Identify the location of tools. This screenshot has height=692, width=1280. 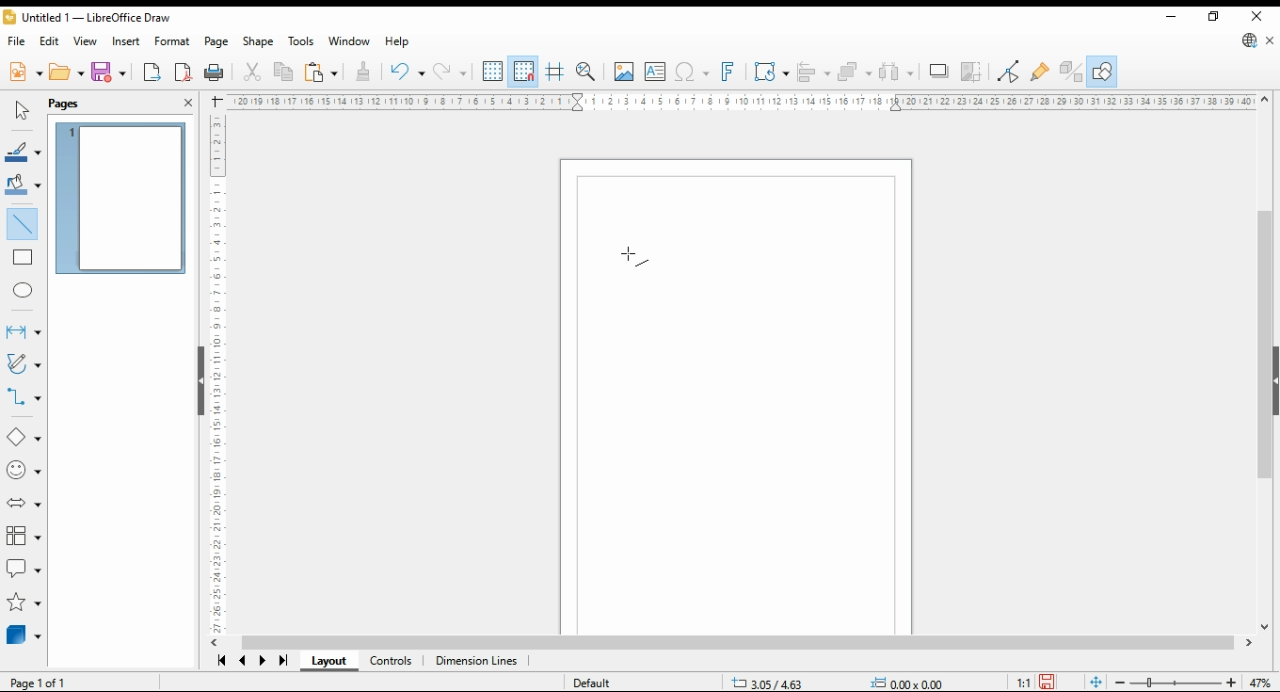
(301, 40).